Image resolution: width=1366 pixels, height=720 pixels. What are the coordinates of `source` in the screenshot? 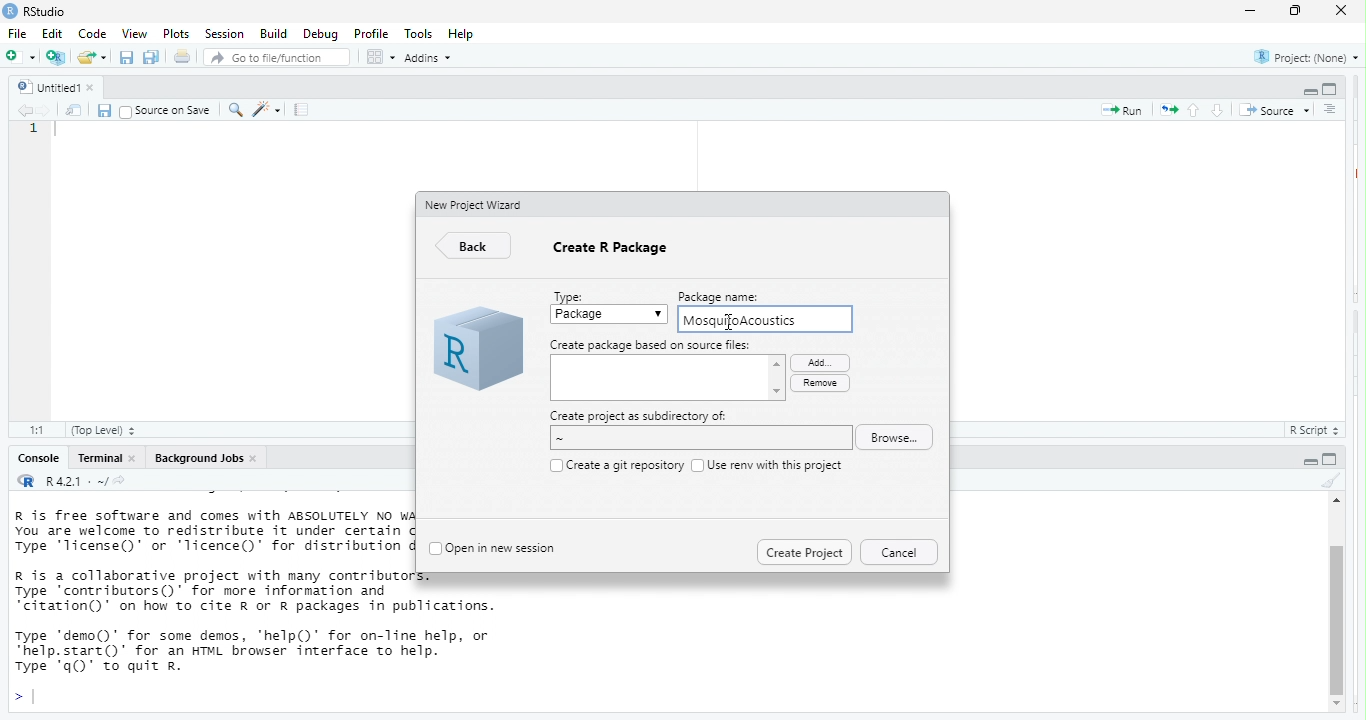 It's located at (1274, 108).